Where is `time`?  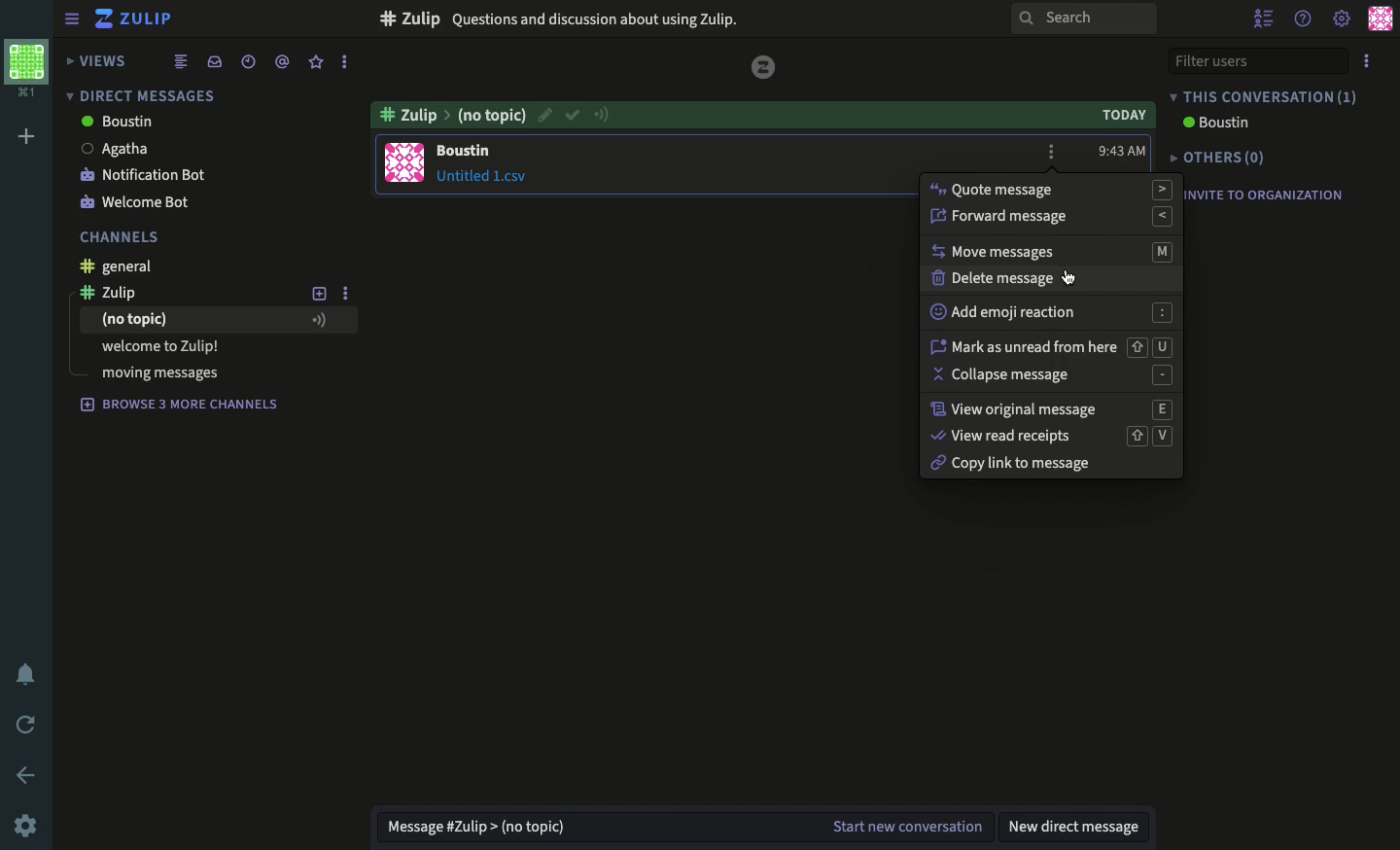
time is located at coordinates (1122, 153).